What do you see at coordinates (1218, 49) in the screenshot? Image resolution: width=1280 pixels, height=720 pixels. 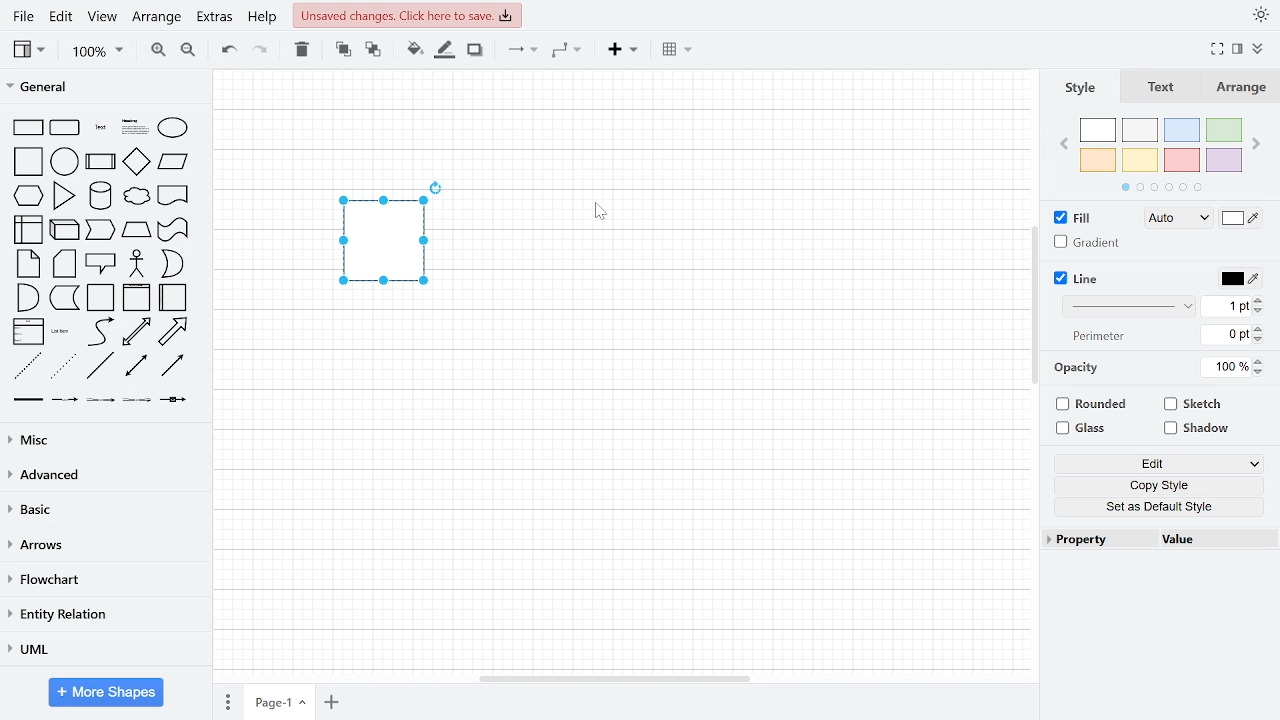 I see `full screen` at bounding box center [1218, 49].